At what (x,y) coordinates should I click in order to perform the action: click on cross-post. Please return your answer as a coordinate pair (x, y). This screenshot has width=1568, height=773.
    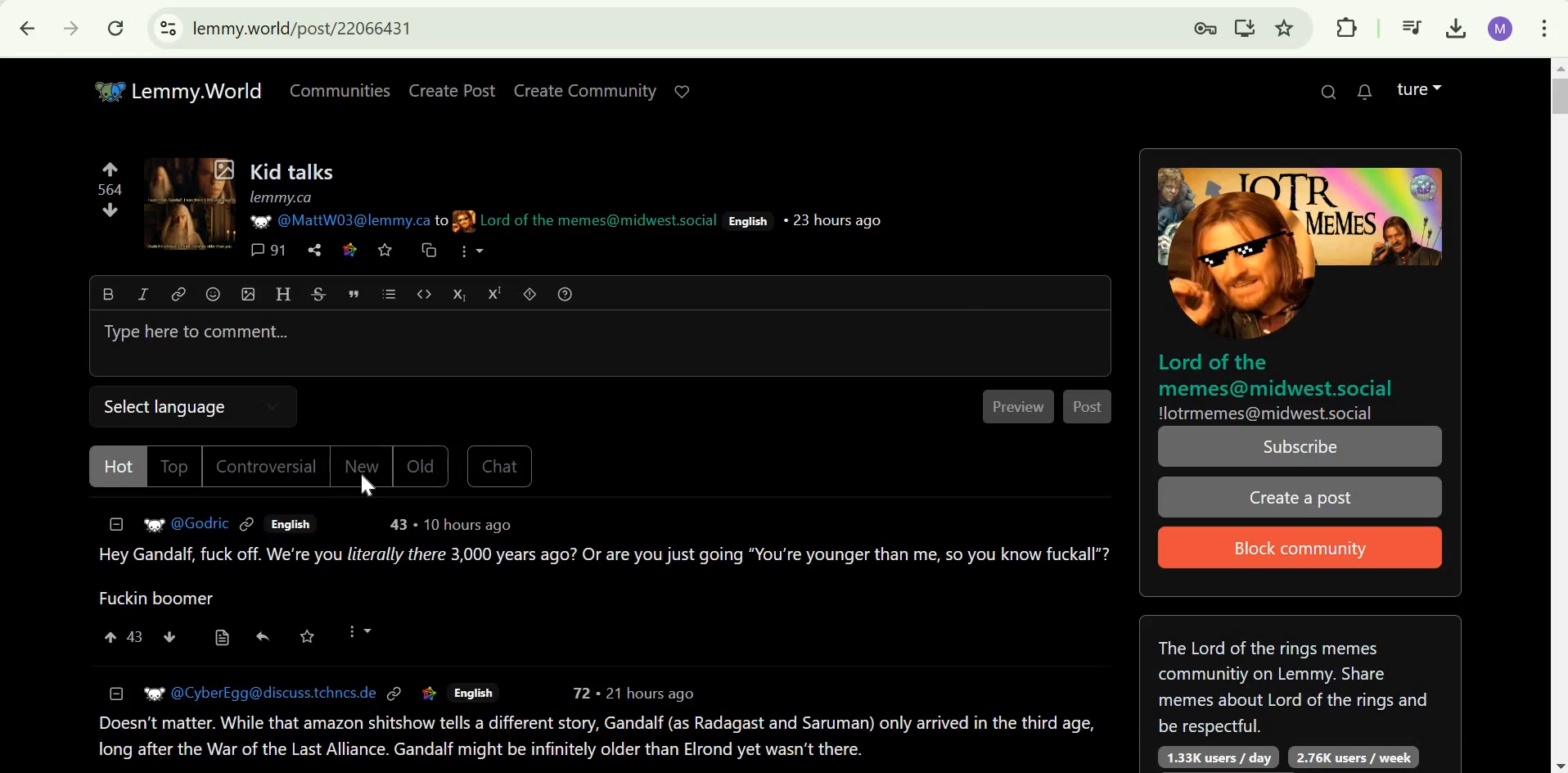
    Looking at the image, I should click on (428, 250).